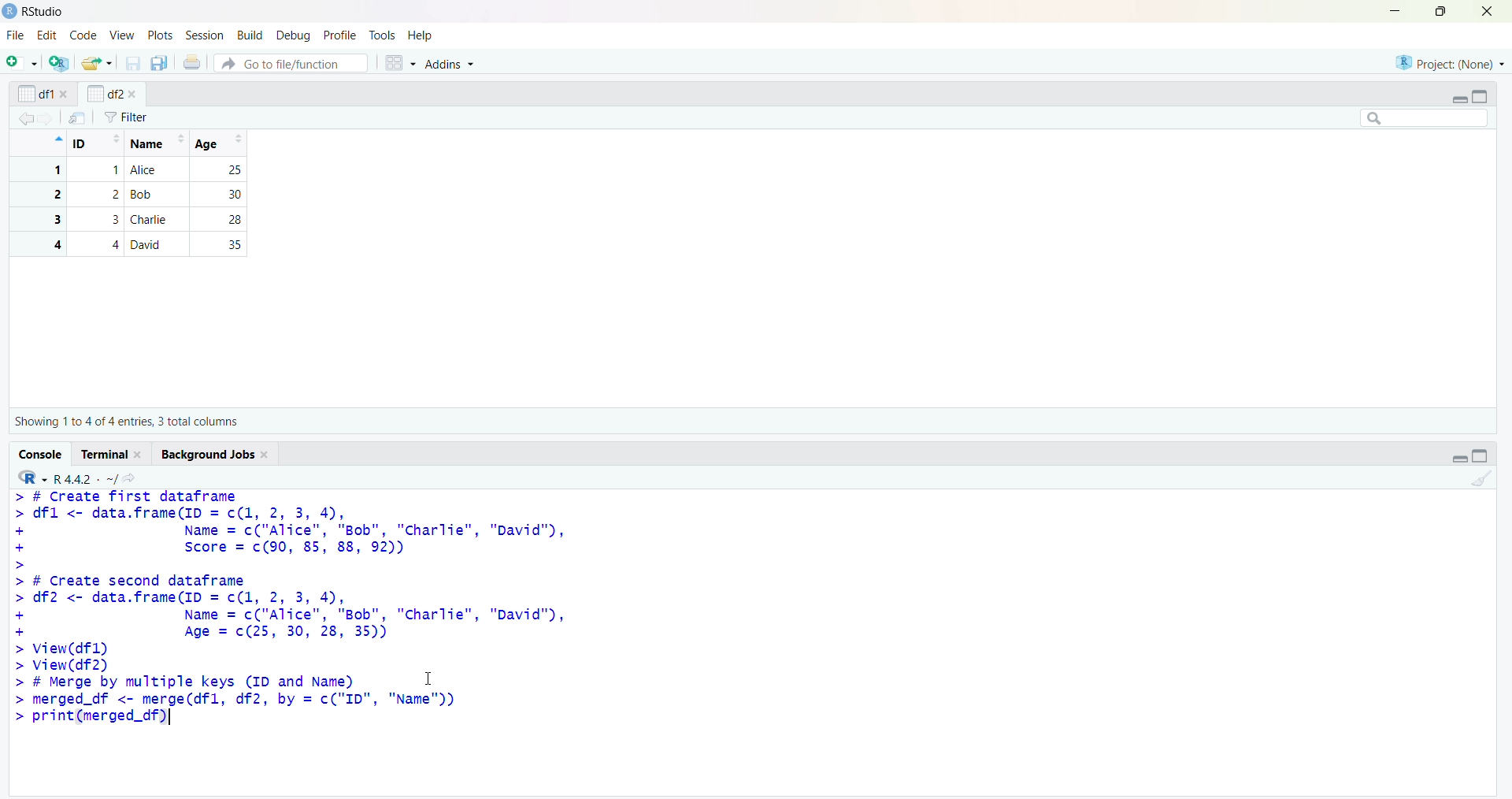  Describe the element at coordinates (252, 36) in the screenshot. I see `build` at that location.